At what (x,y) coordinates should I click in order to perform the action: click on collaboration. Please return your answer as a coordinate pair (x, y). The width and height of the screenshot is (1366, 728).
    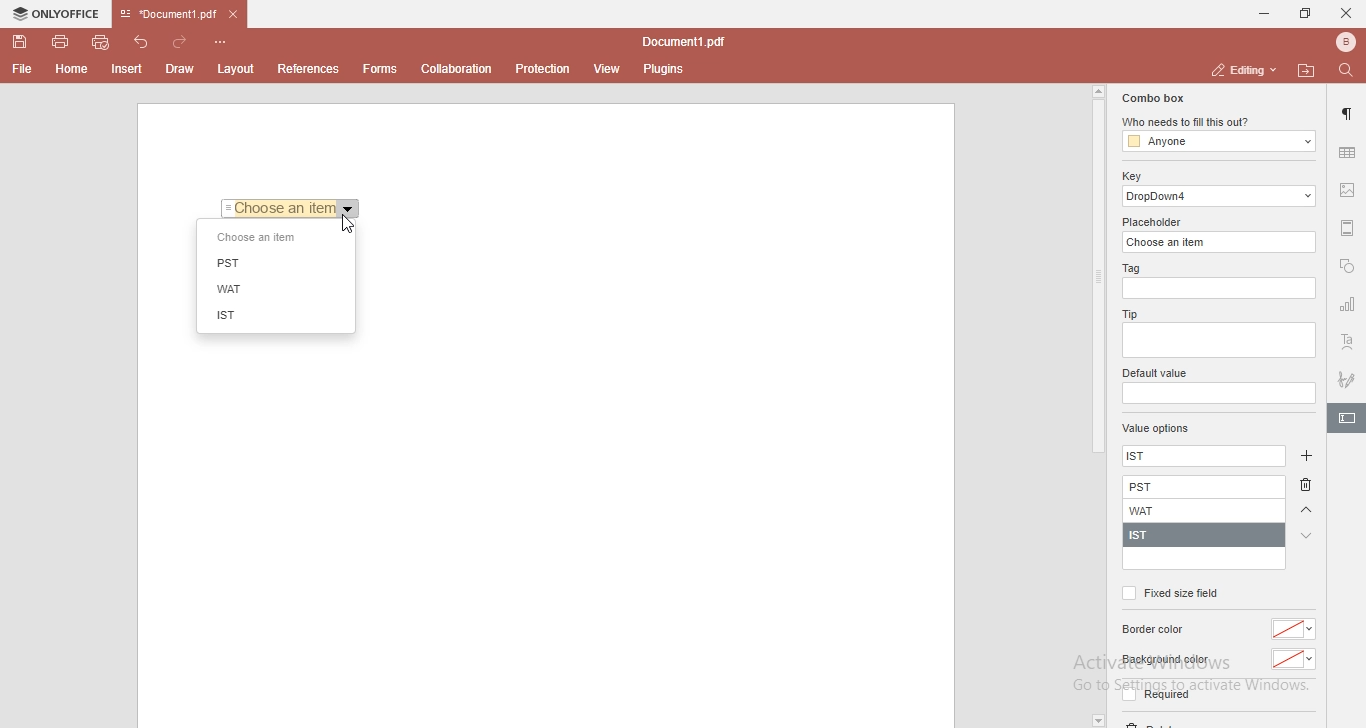
    Looking at the image, I should click on (461, 67).